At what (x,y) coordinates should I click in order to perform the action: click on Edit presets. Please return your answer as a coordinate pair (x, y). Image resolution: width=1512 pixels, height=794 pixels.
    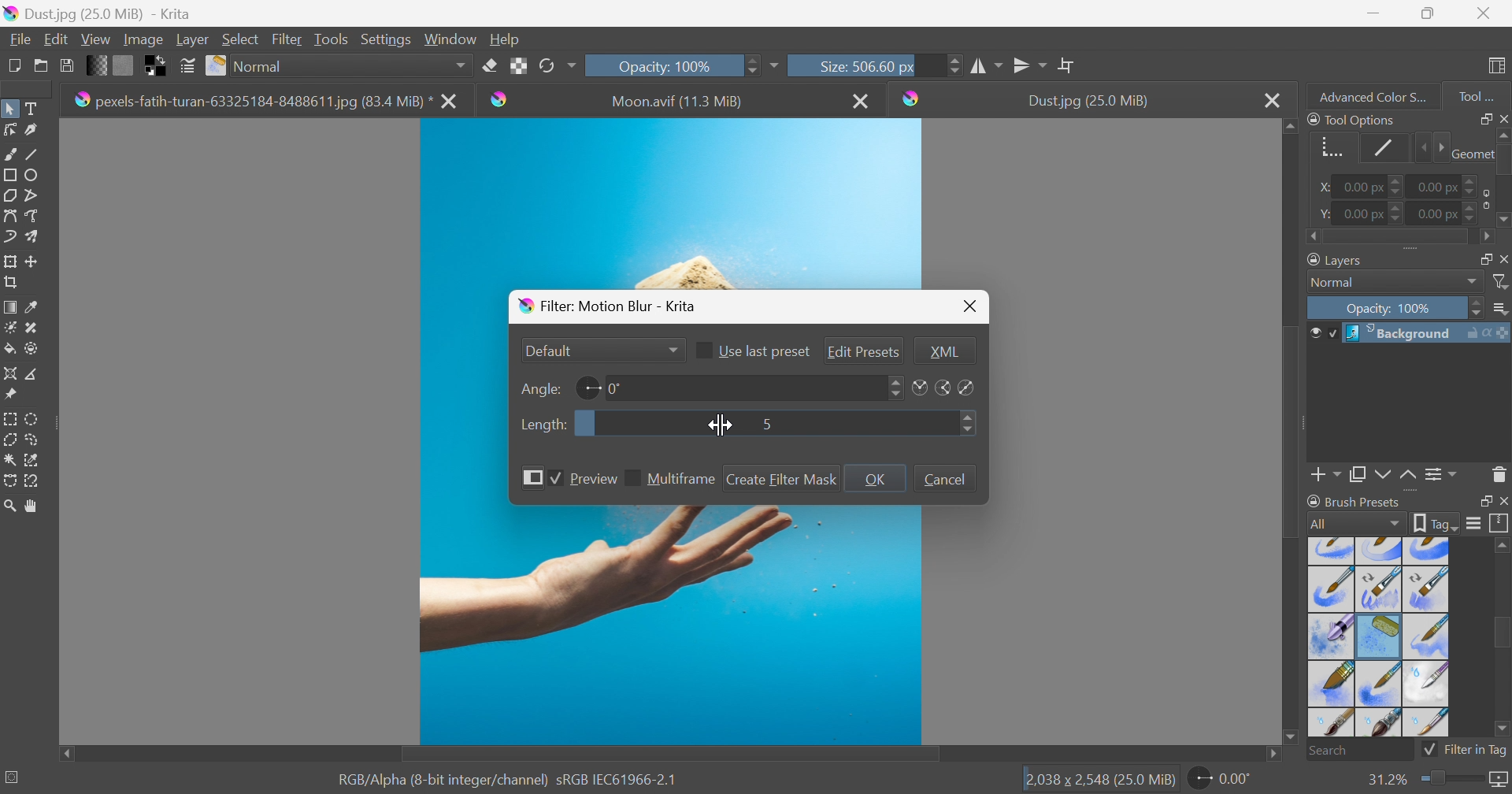
    Looking at the image, I should click on (864, 353).